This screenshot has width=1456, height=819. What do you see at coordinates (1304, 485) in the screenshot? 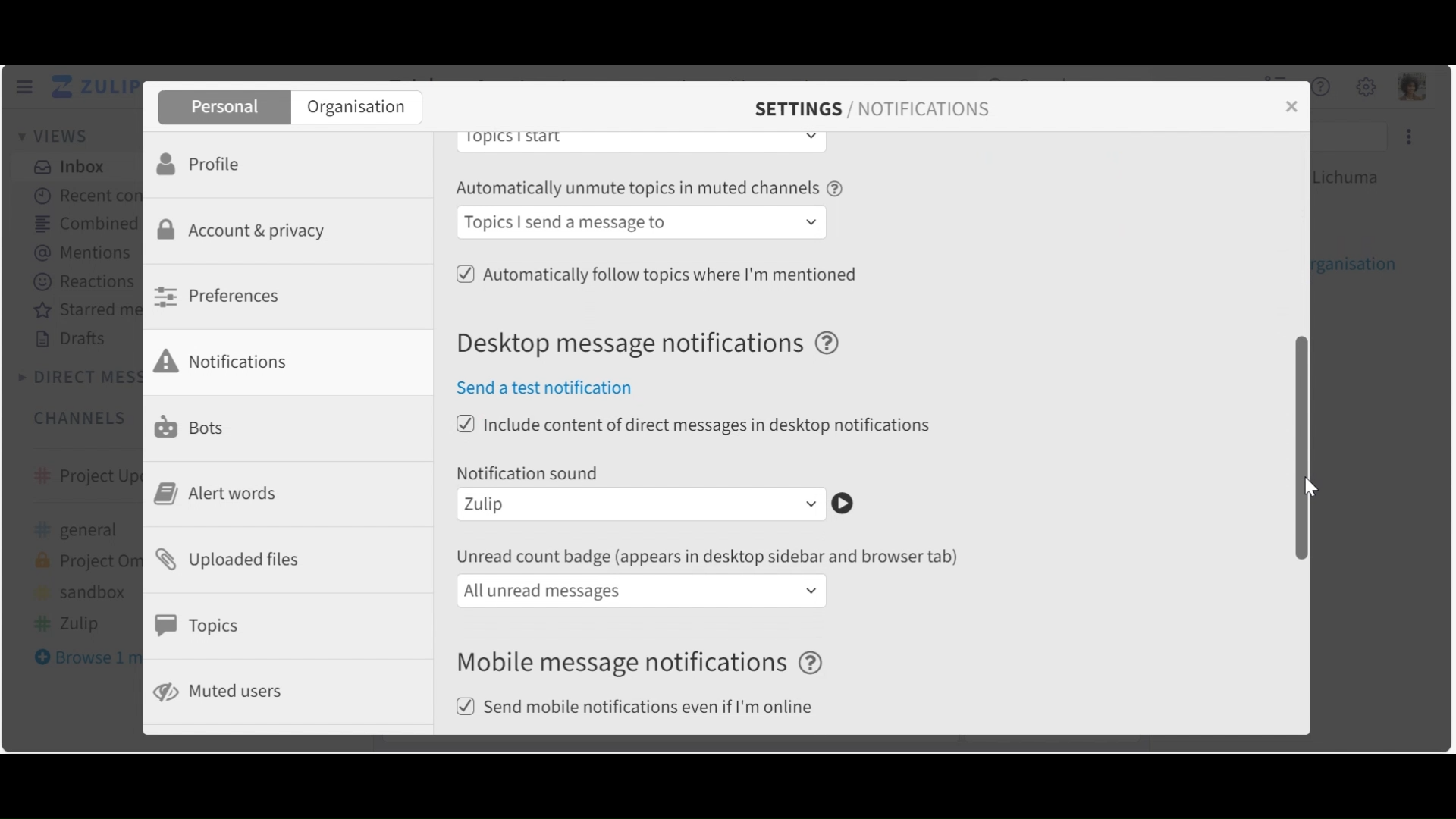
I see `cursor` at bounding box center [1304, 485].